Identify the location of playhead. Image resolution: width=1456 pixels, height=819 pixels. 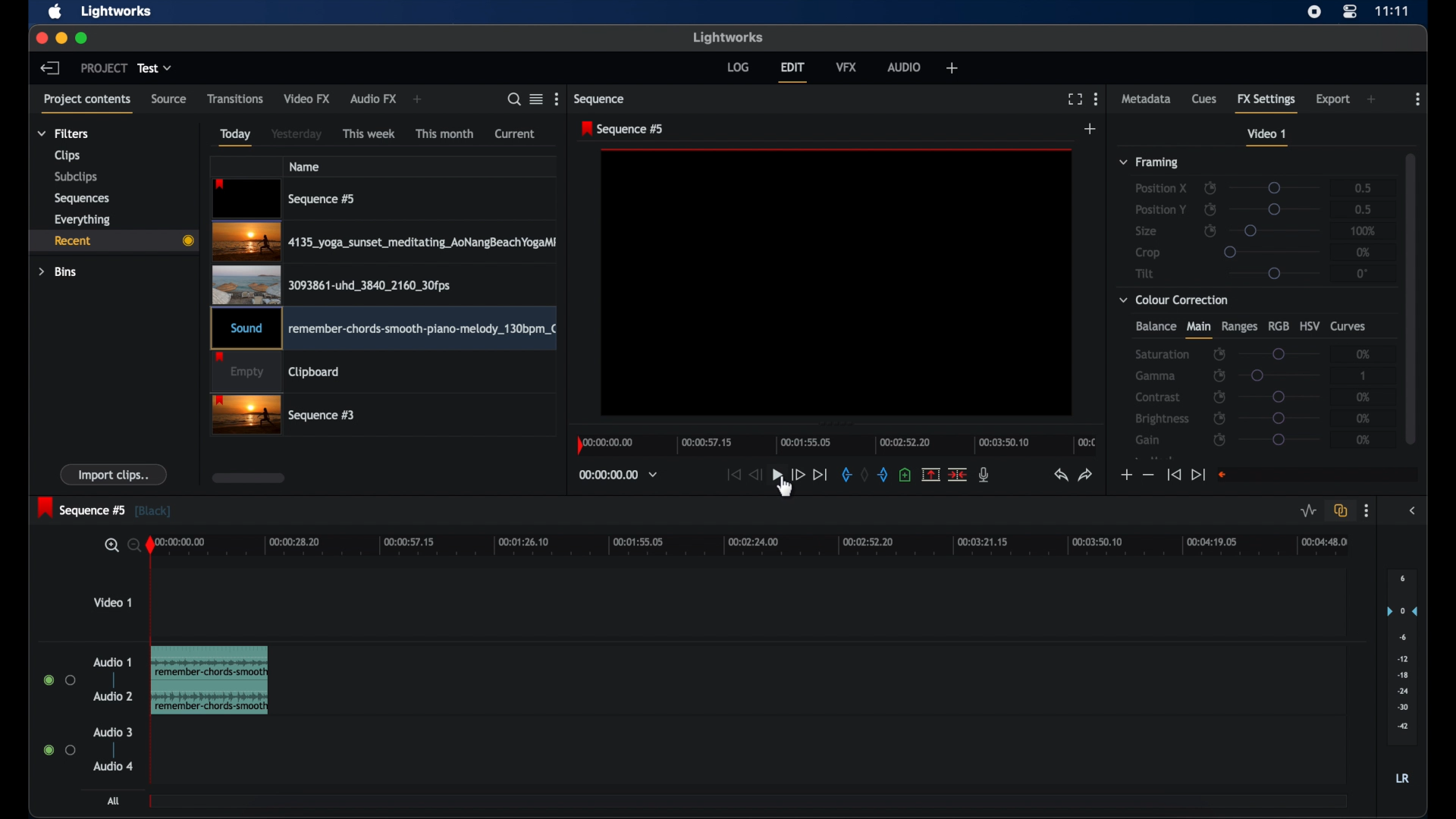
(153, 583).